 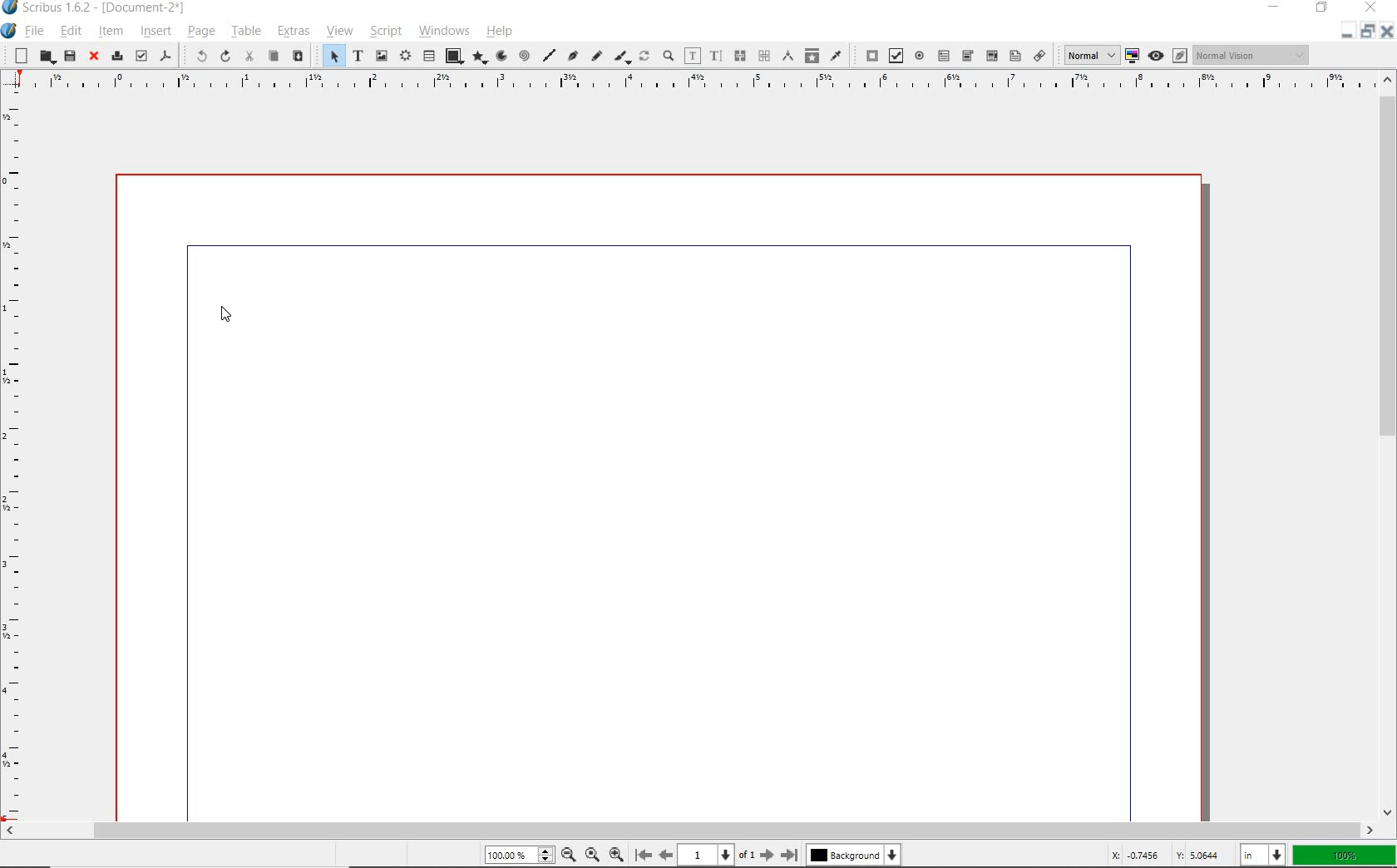 What do you see at coordinates (155, 32) in the screenshot?
I see `insert` at bounding box center [155, 32].